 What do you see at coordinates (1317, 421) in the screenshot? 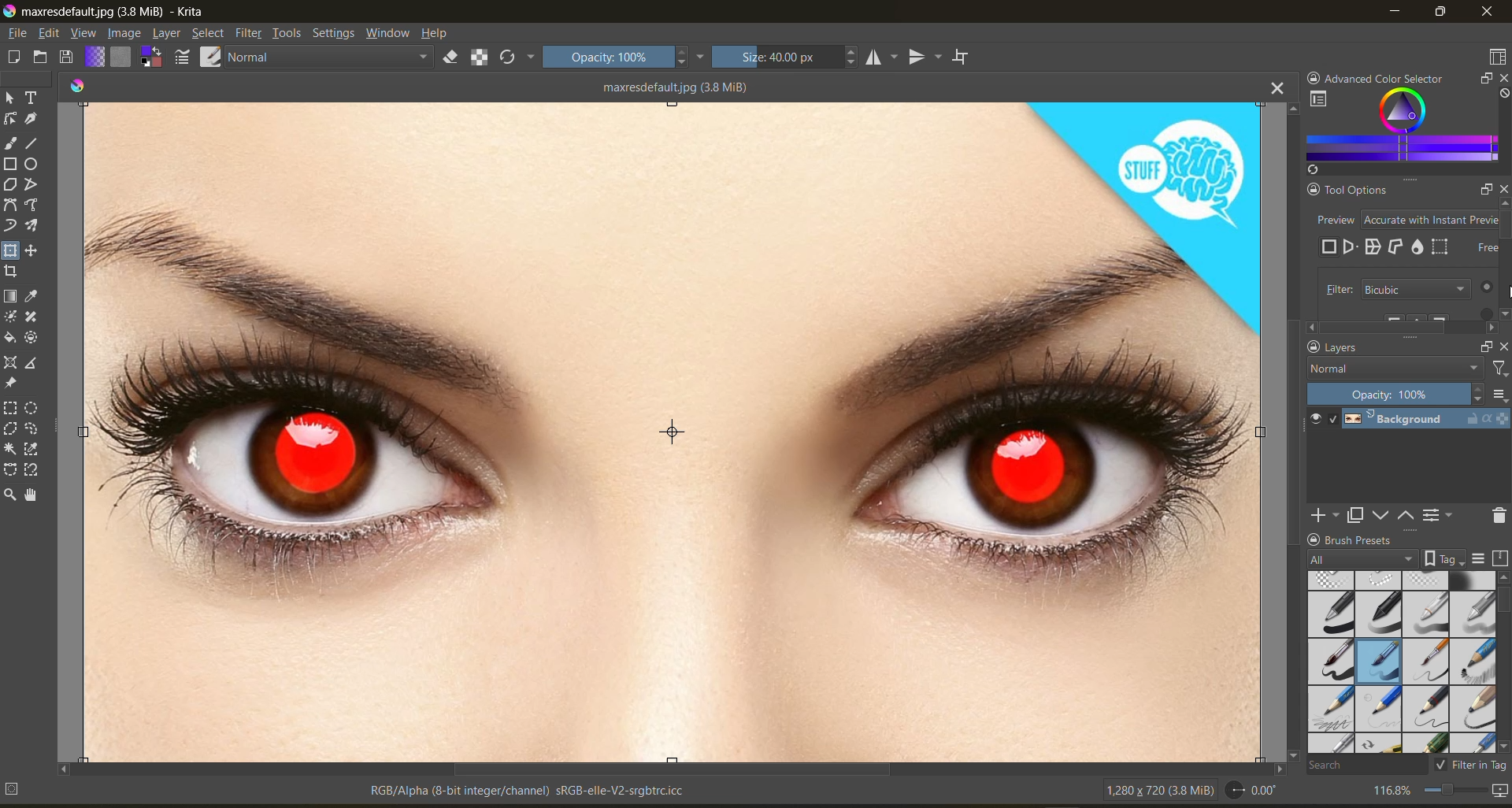
I see `preview` at bounding box center [1317, 421].